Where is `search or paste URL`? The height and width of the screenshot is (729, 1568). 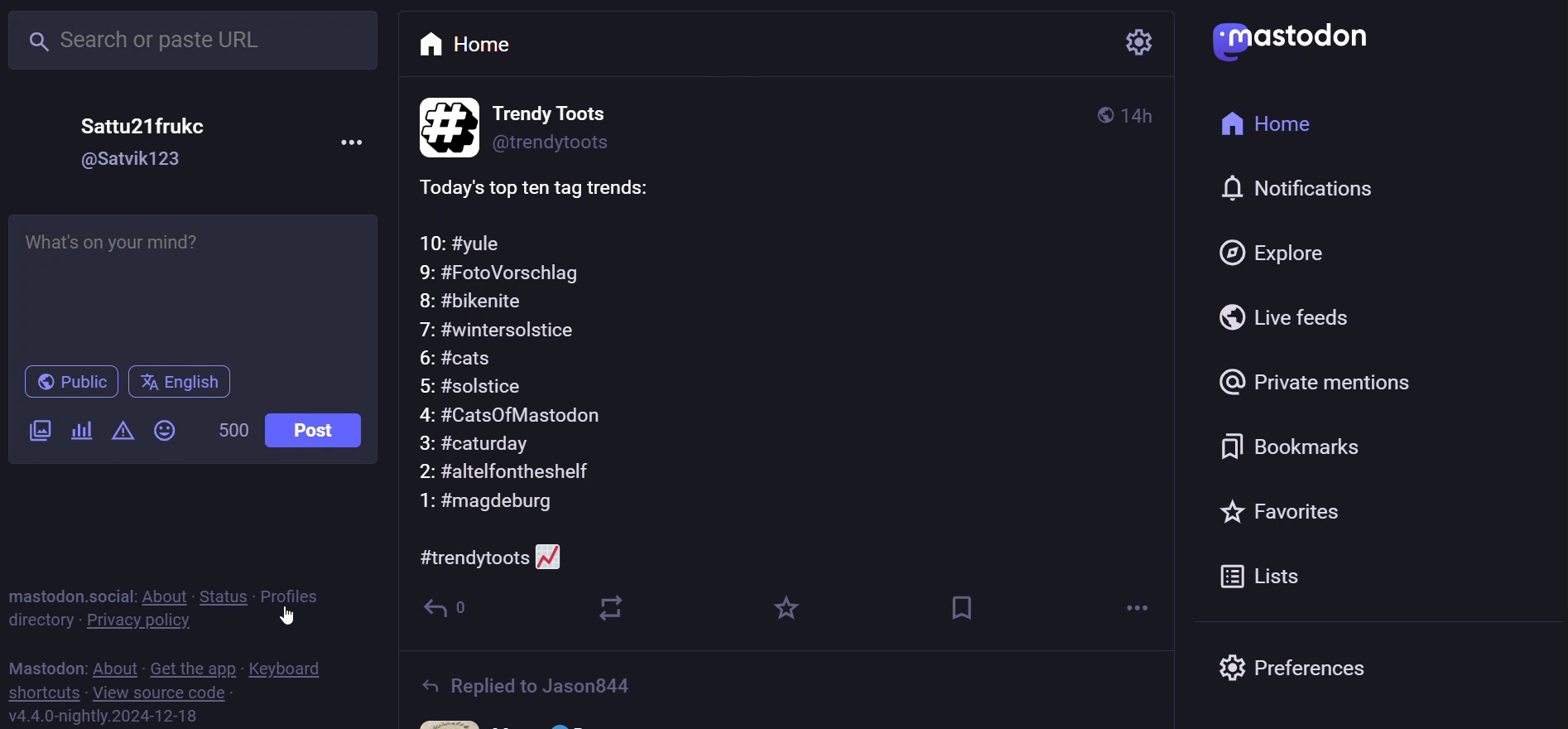
search or paste URL is located at coordinates (194, 39).